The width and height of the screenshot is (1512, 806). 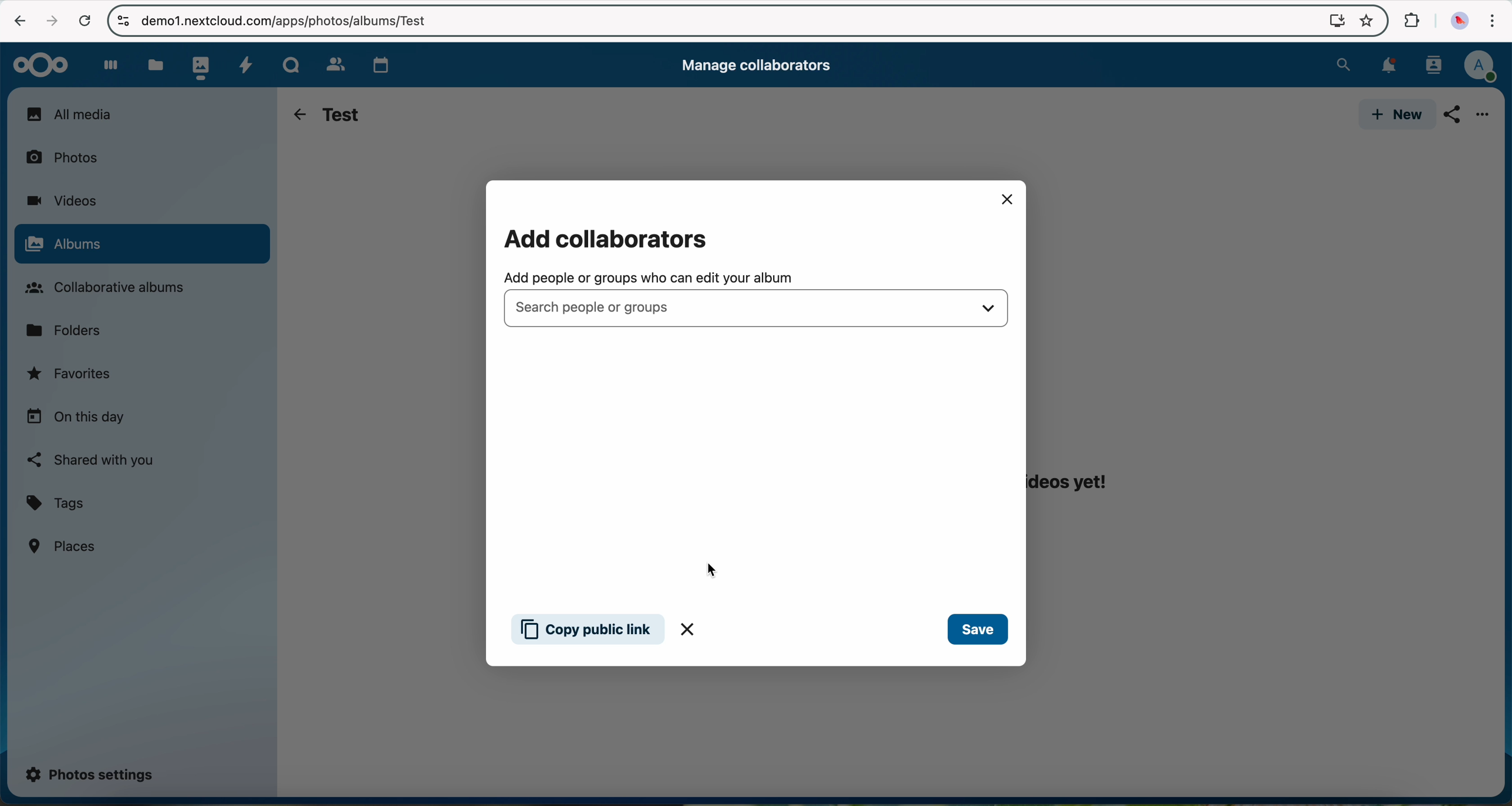 What do you see at coordinates (90, 773) in the screenshot?
I see `photos settings` at bounding box center [90, 773].